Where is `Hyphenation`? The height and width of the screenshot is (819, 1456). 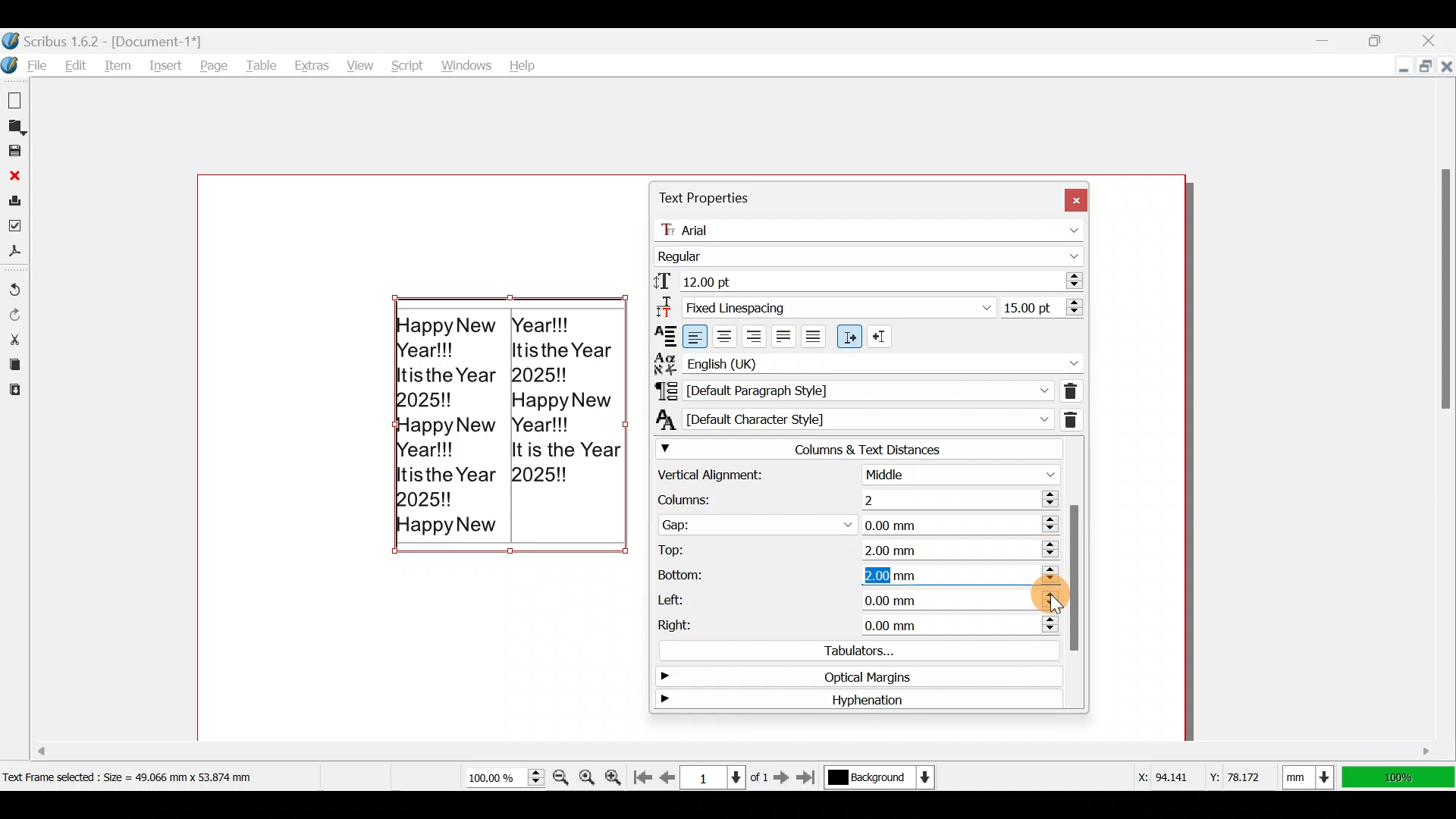
Hyphenation is located at coordinates (849, 701).